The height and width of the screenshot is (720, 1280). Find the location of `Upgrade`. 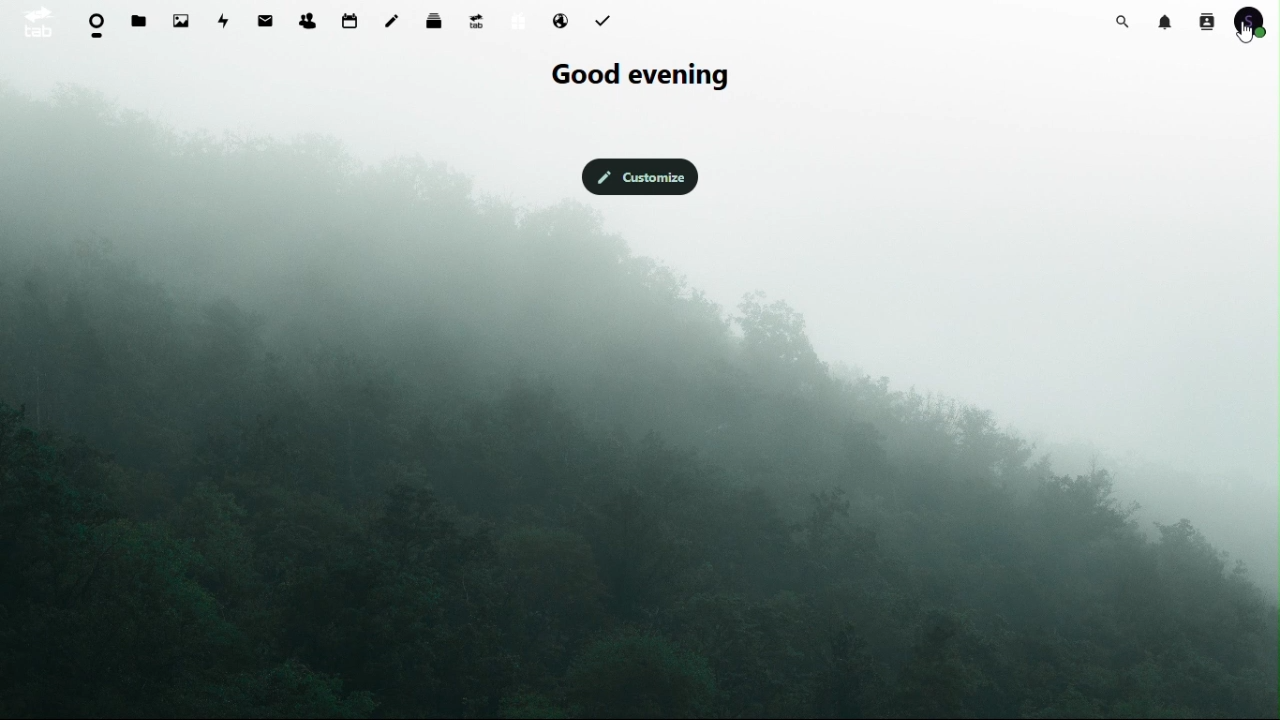

Upgrade is located at coordinates (476, 20).